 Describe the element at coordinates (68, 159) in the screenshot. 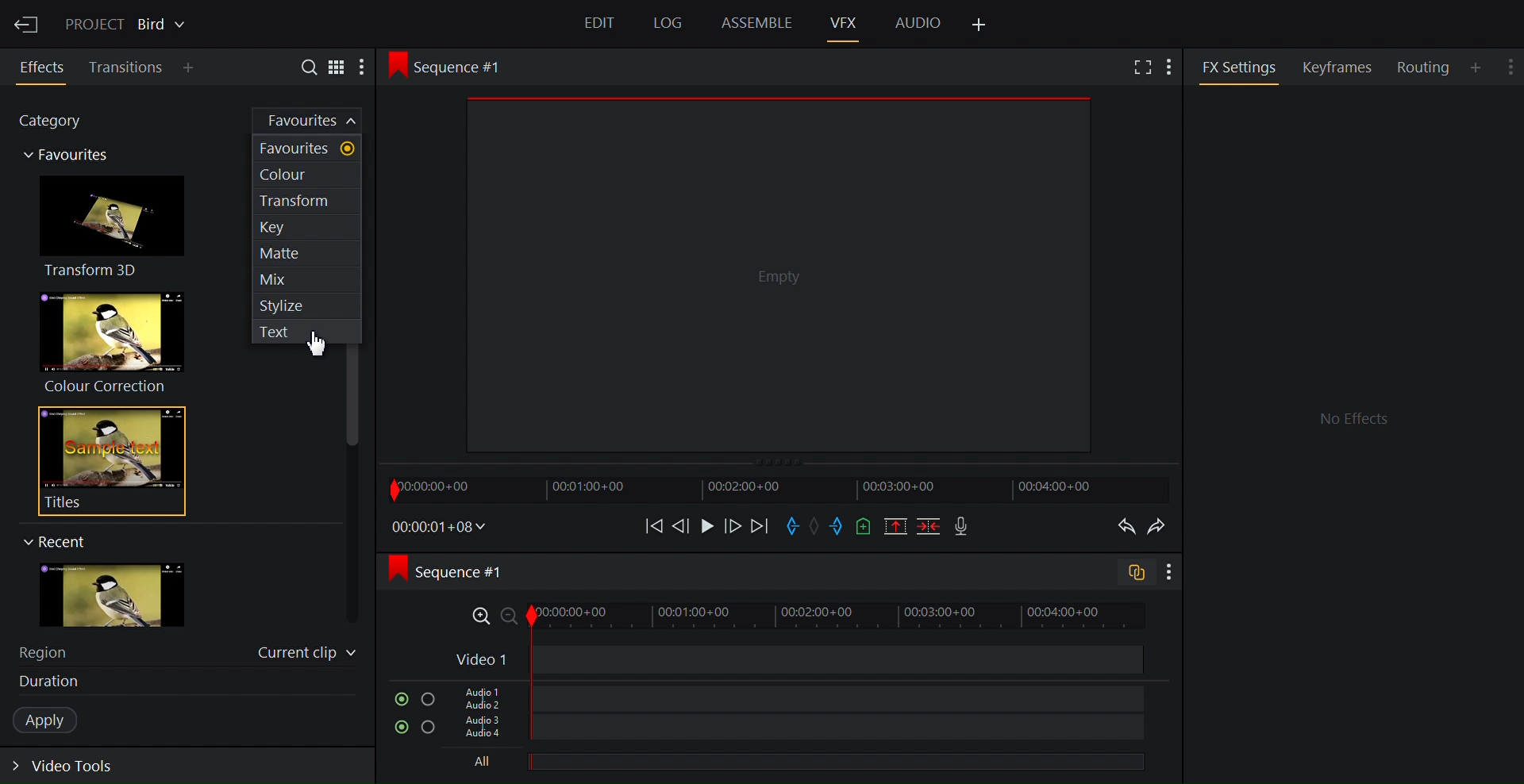

I see `Category thumbnail` at that location.